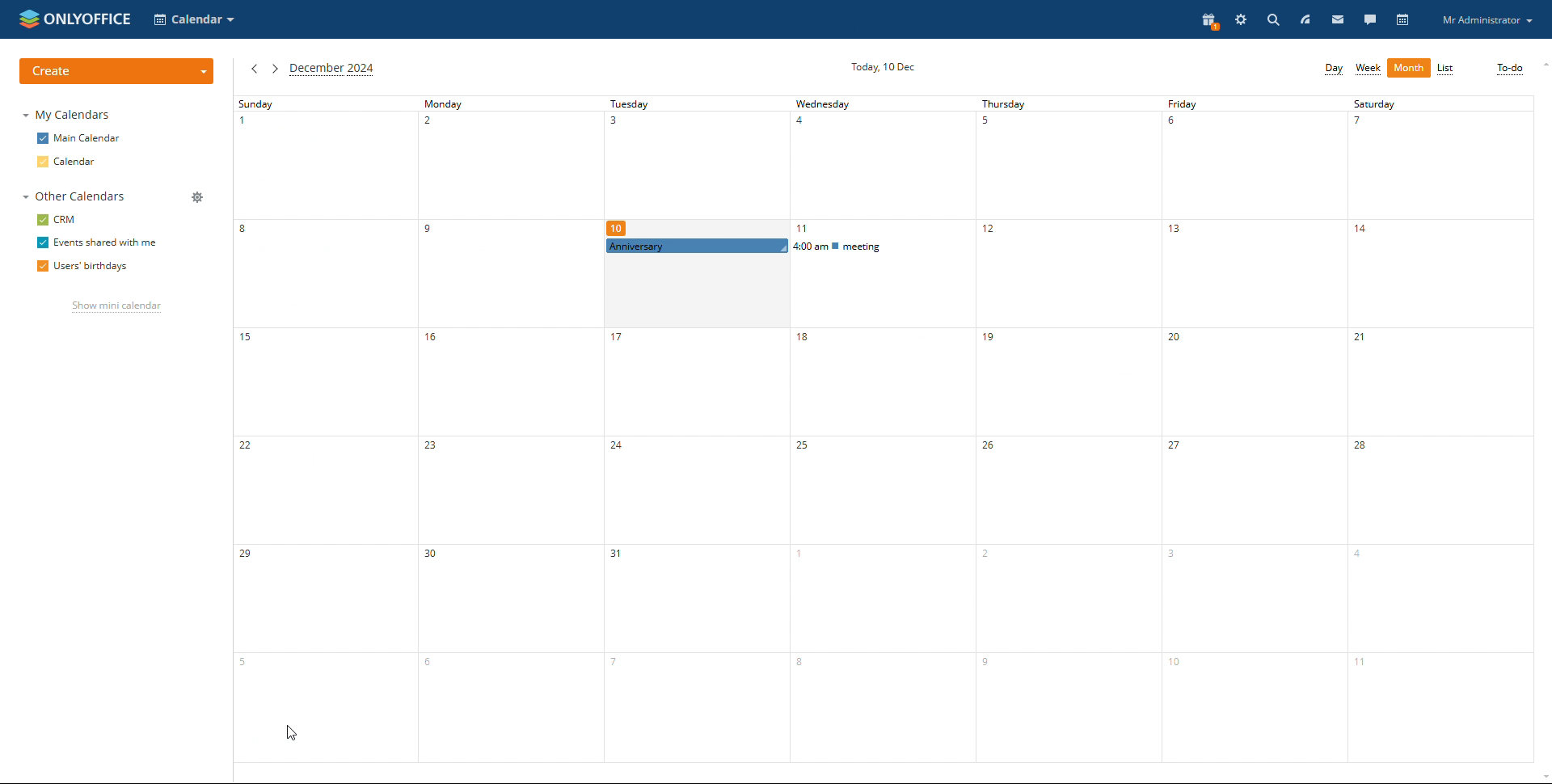 The width and height of the screenshot is (1552, 784). What do you see at coordinates (81, 268) in the screenshot?
I see `users' birthdays` at bounding box center [81, 268].